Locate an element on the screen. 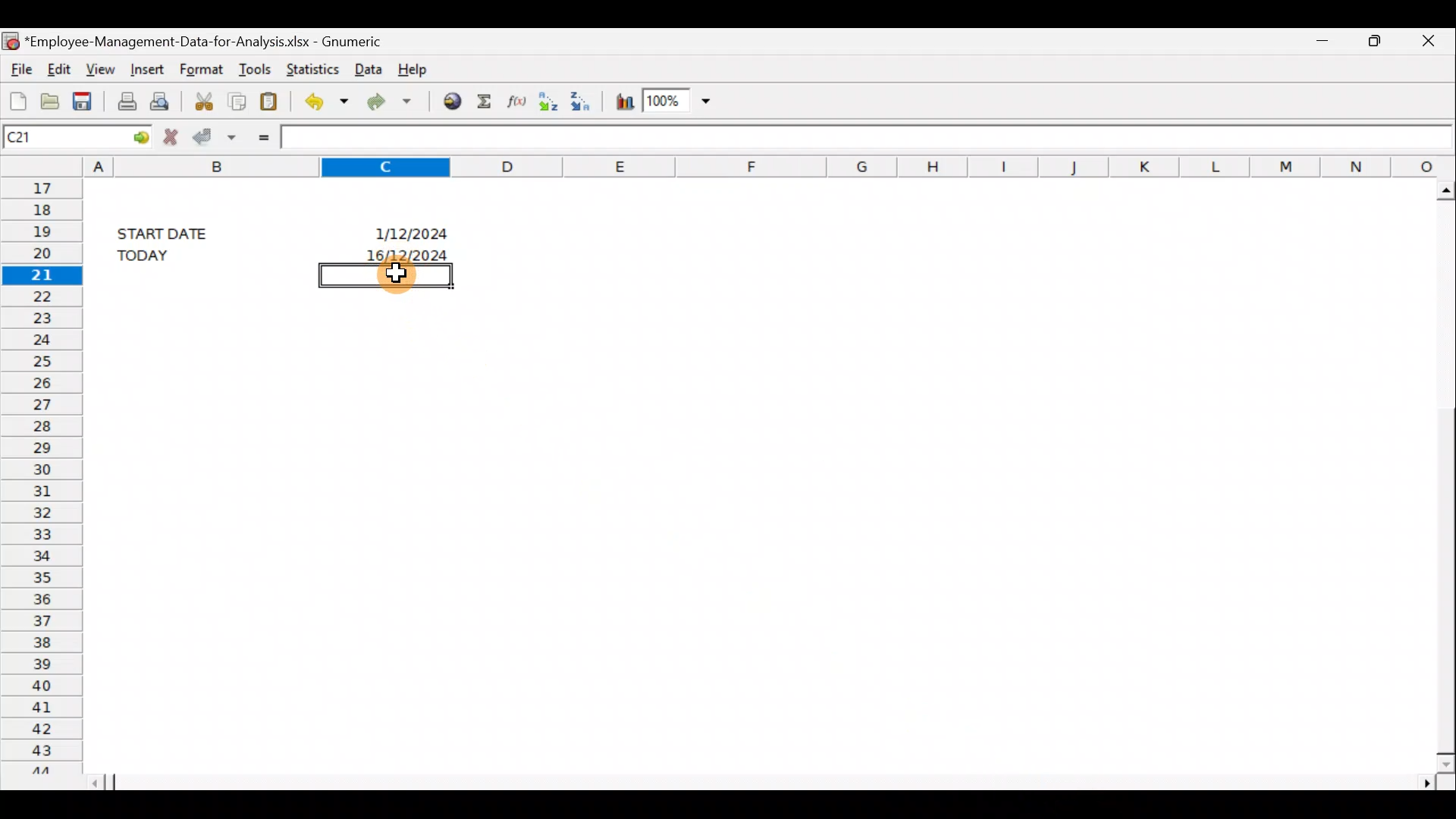  Scroll bar is located at coordinates (767, 782).